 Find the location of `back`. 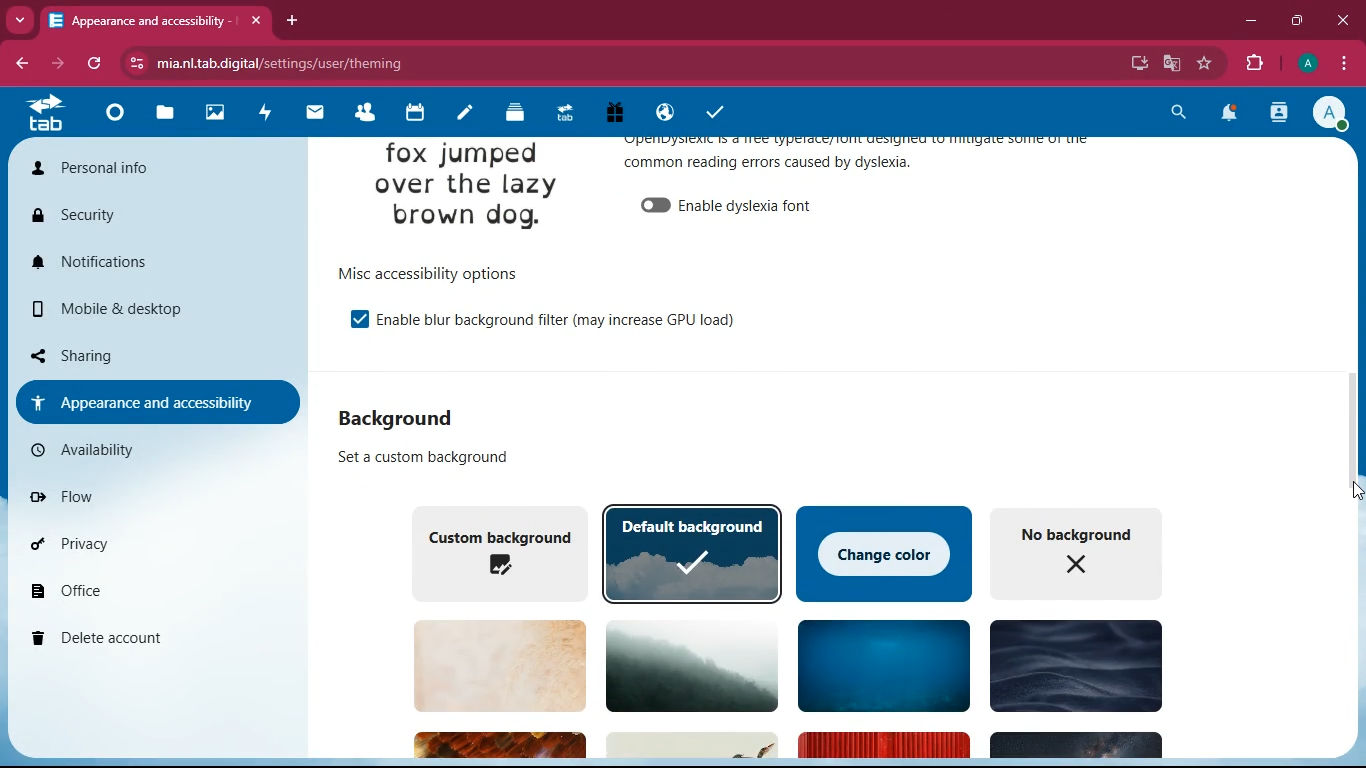

back is located at coordinates (17, 65).